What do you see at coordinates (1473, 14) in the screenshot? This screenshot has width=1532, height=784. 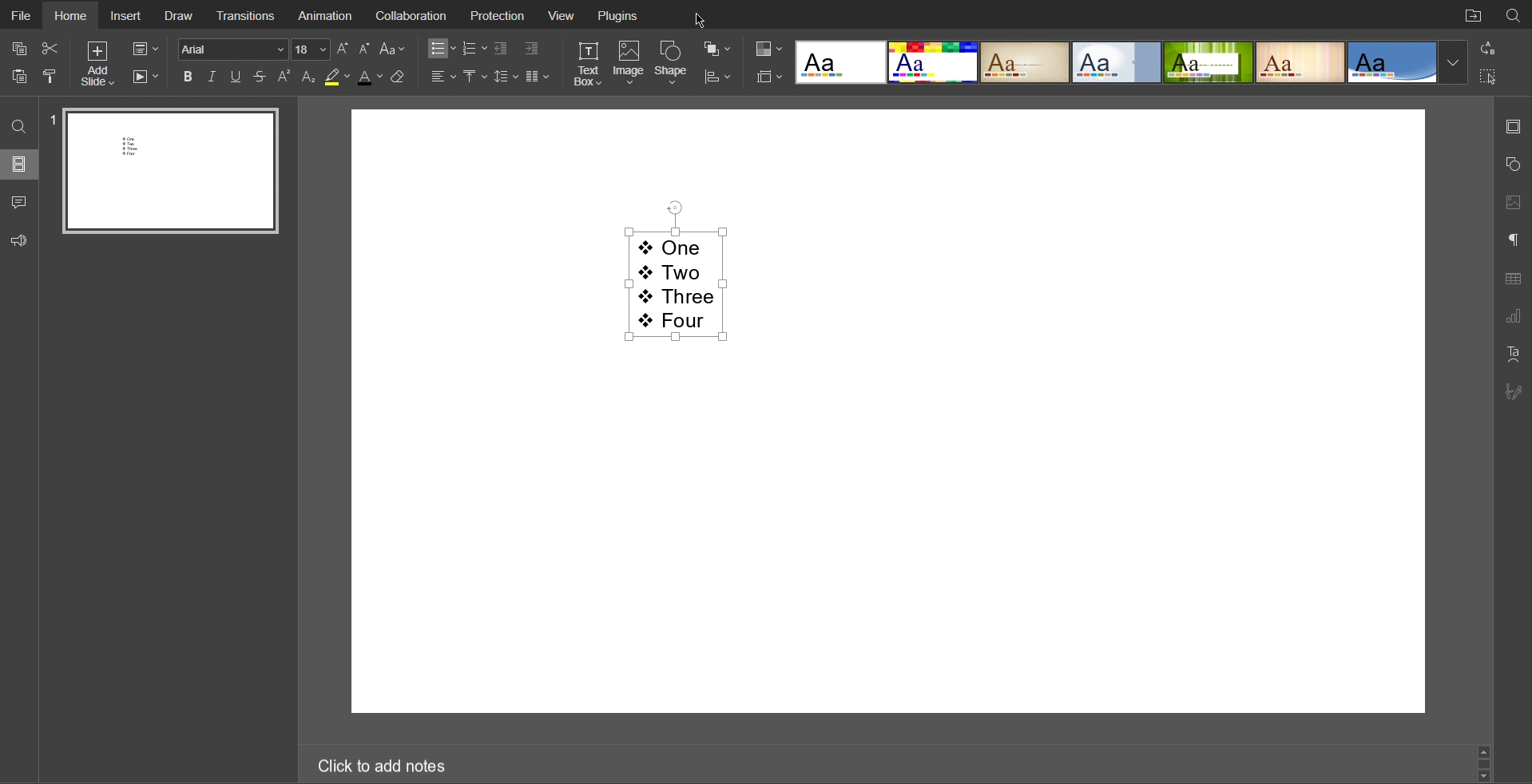 I see `Open File Location` at bounding box center [1473, 14].